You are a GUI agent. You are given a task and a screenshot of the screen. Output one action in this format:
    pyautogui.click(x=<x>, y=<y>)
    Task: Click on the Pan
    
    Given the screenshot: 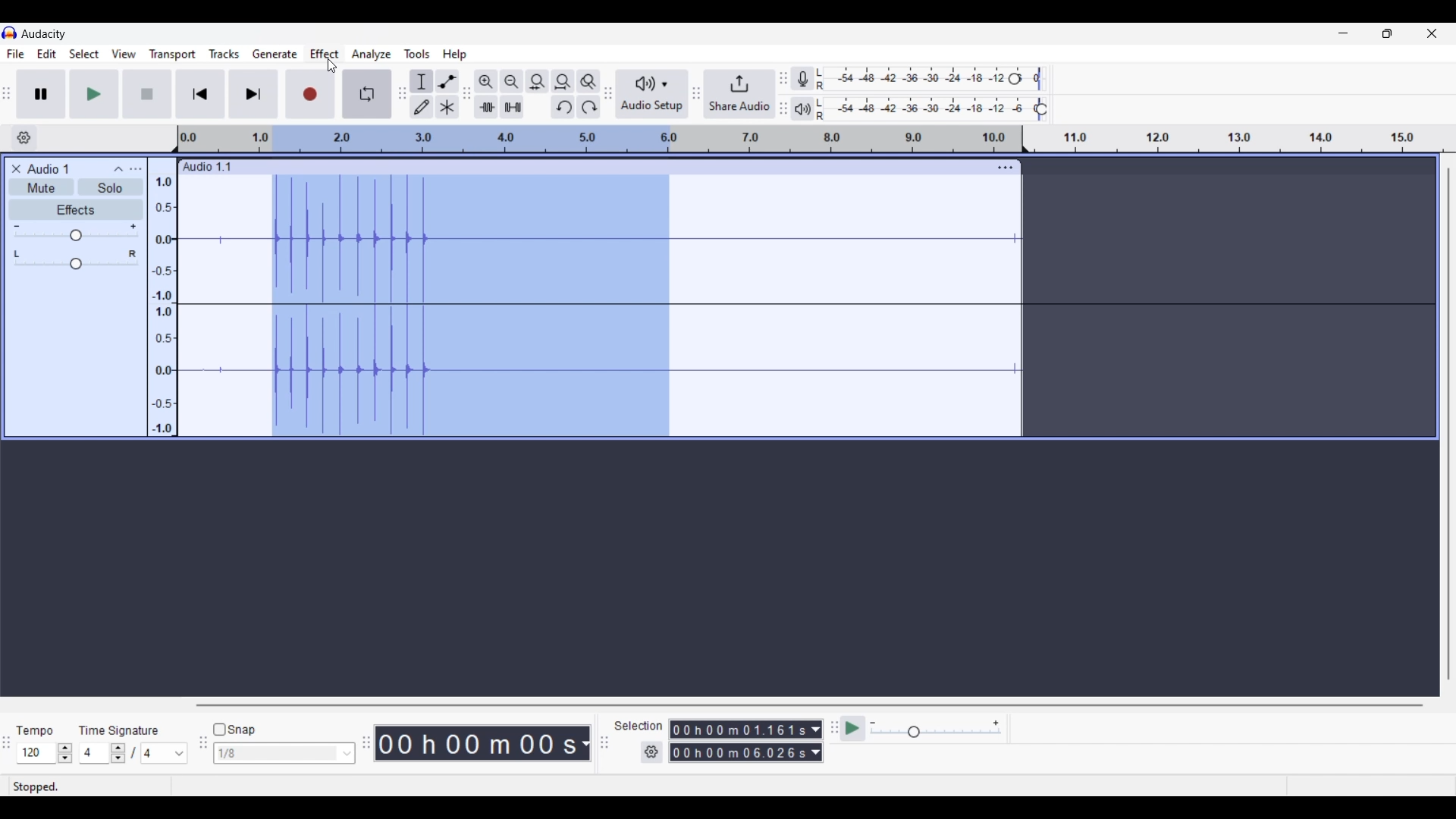 What is the action you would take?
    pyautogui.click(x=76, y=265)
    